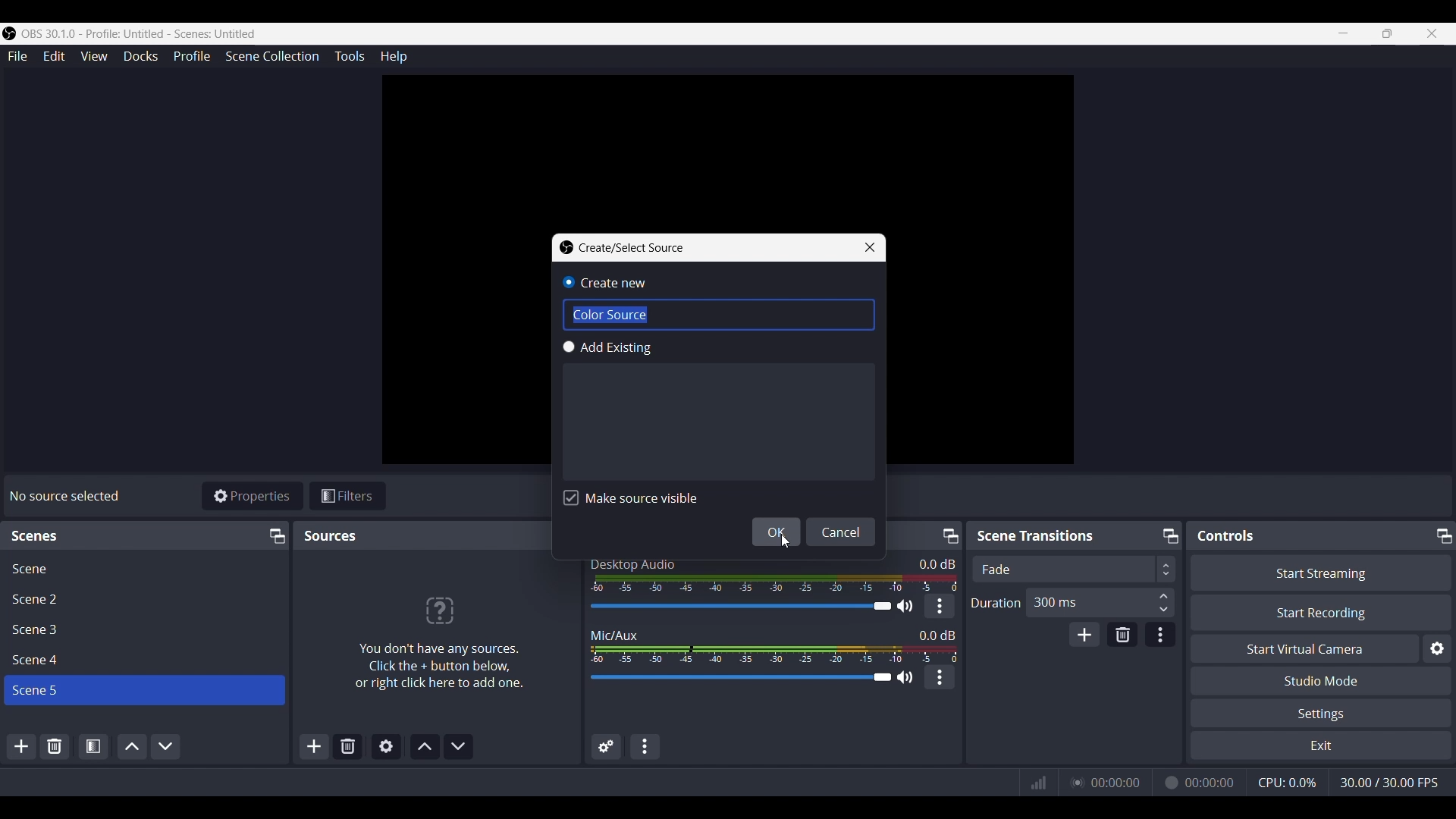 The height and width of the screenshot is (819, 1456). What do you see at coordinates (750, 677) in the screenshot?
I see `Volume Adjuster` at bounding box center [750, 677].